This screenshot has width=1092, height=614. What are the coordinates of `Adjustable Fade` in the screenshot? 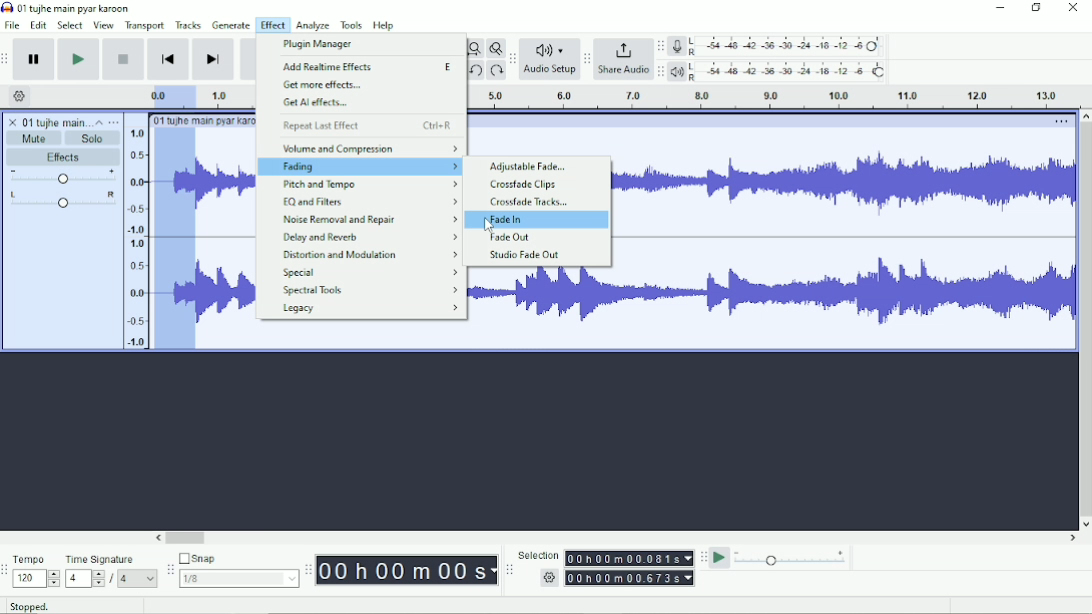 It's located at (528, 167).